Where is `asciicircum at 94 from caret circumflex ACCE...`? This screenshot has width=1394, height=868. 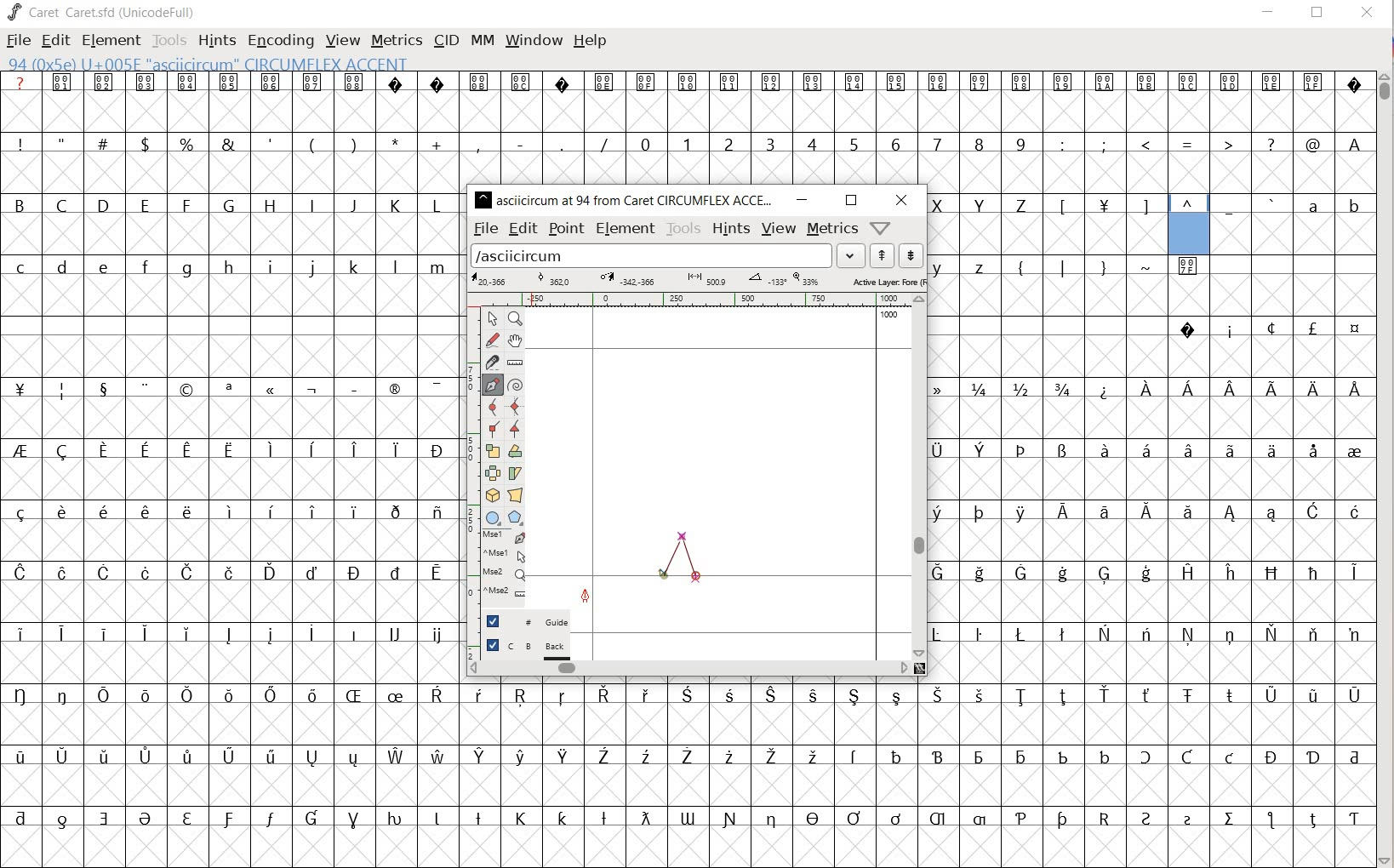
asciicircum at 94 from caret circumflex ACCE... is located at coordinates (626, 197).